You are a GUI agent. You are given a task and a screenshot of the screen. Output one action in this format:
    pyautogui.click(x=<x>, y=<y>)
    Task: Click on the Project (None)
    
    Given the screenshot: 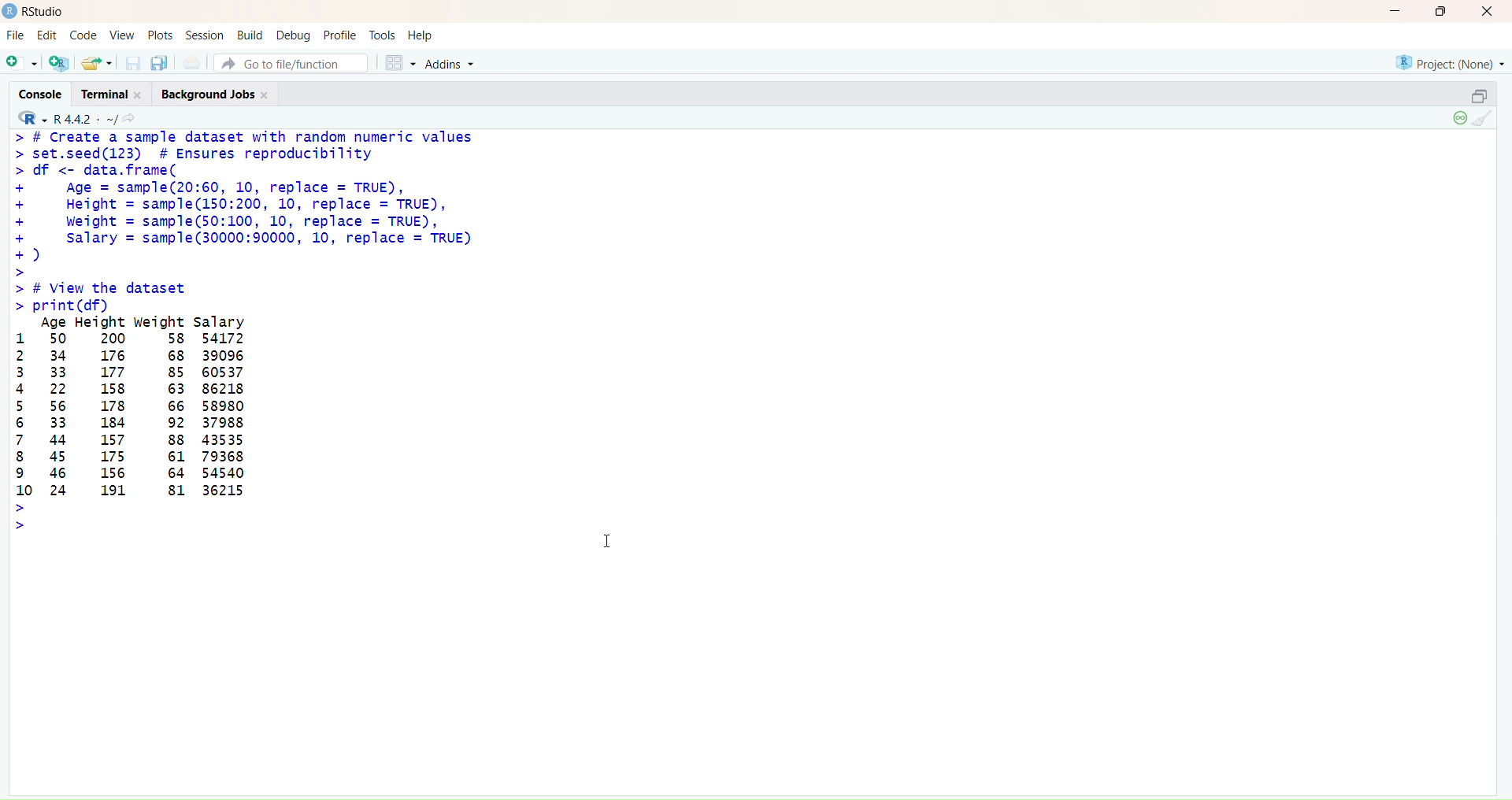 What is the action you would take?
    pyautogui.click(x=1452, y=65)
    